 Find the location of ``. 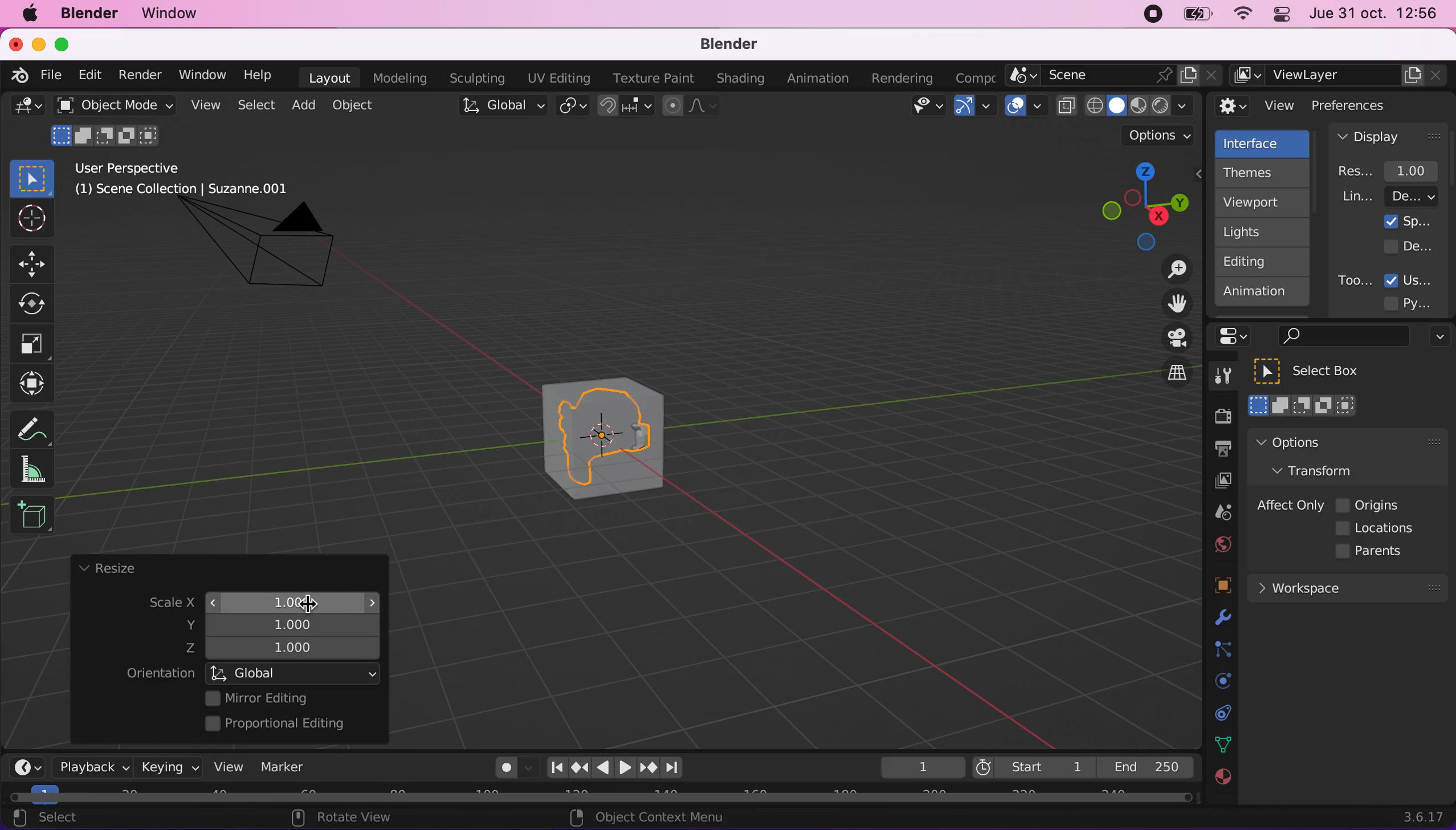

 is located at coordinates (37, 262).